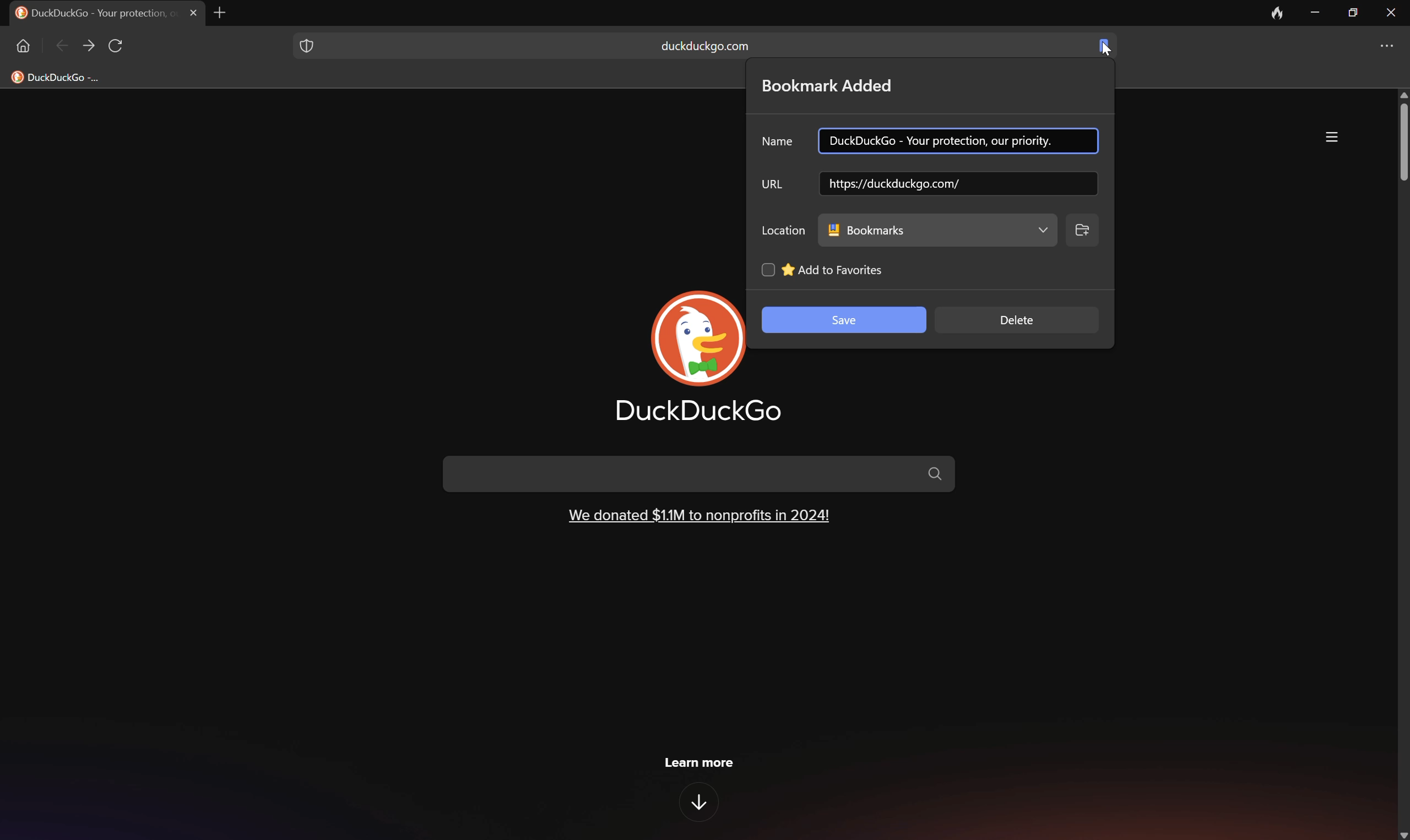 This screenshot has width=1410, height=840. Describe the element at coordinates (1392, 11) in the screenshot. I see `Close` at that location.